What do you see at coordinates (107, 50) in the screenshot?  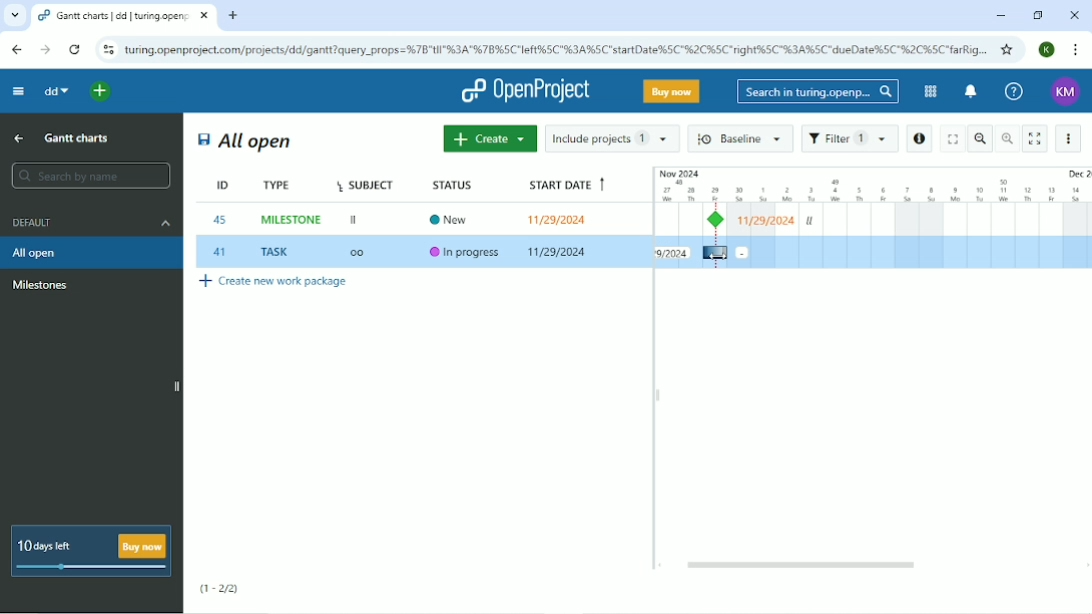 I see `View site information` at bounding box center [107, 50].